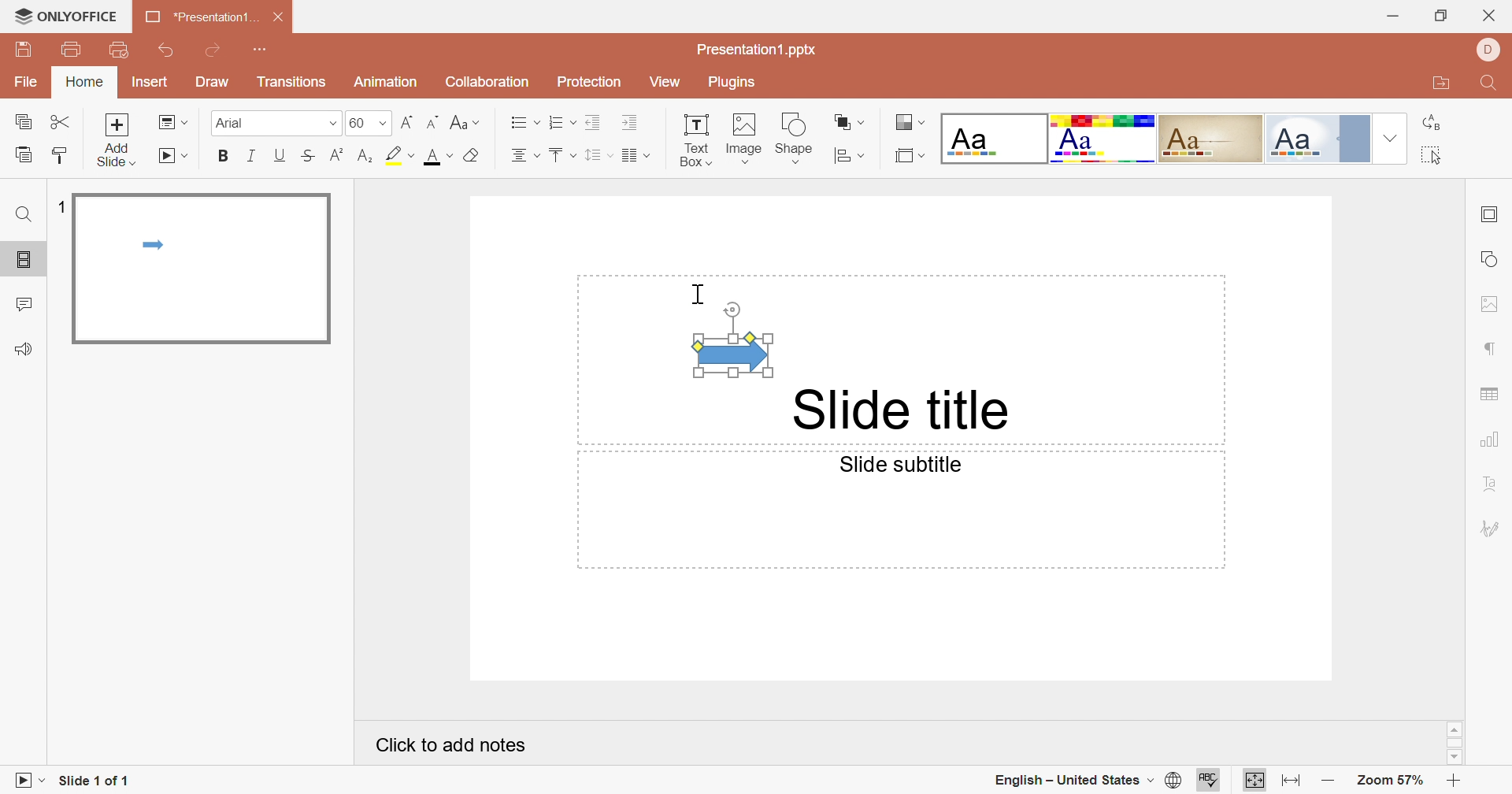  I want to click on Official, so click(1316, 139).